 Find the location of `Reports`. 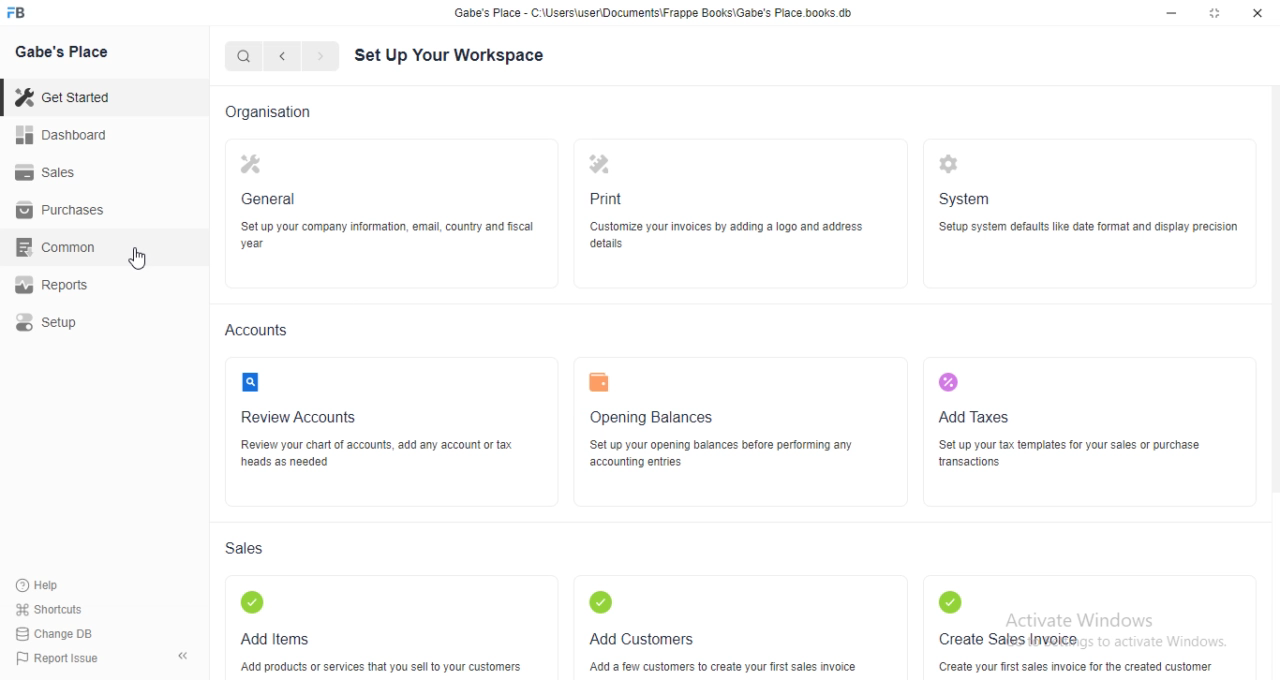

Reports is located at coordinates (56, 283).